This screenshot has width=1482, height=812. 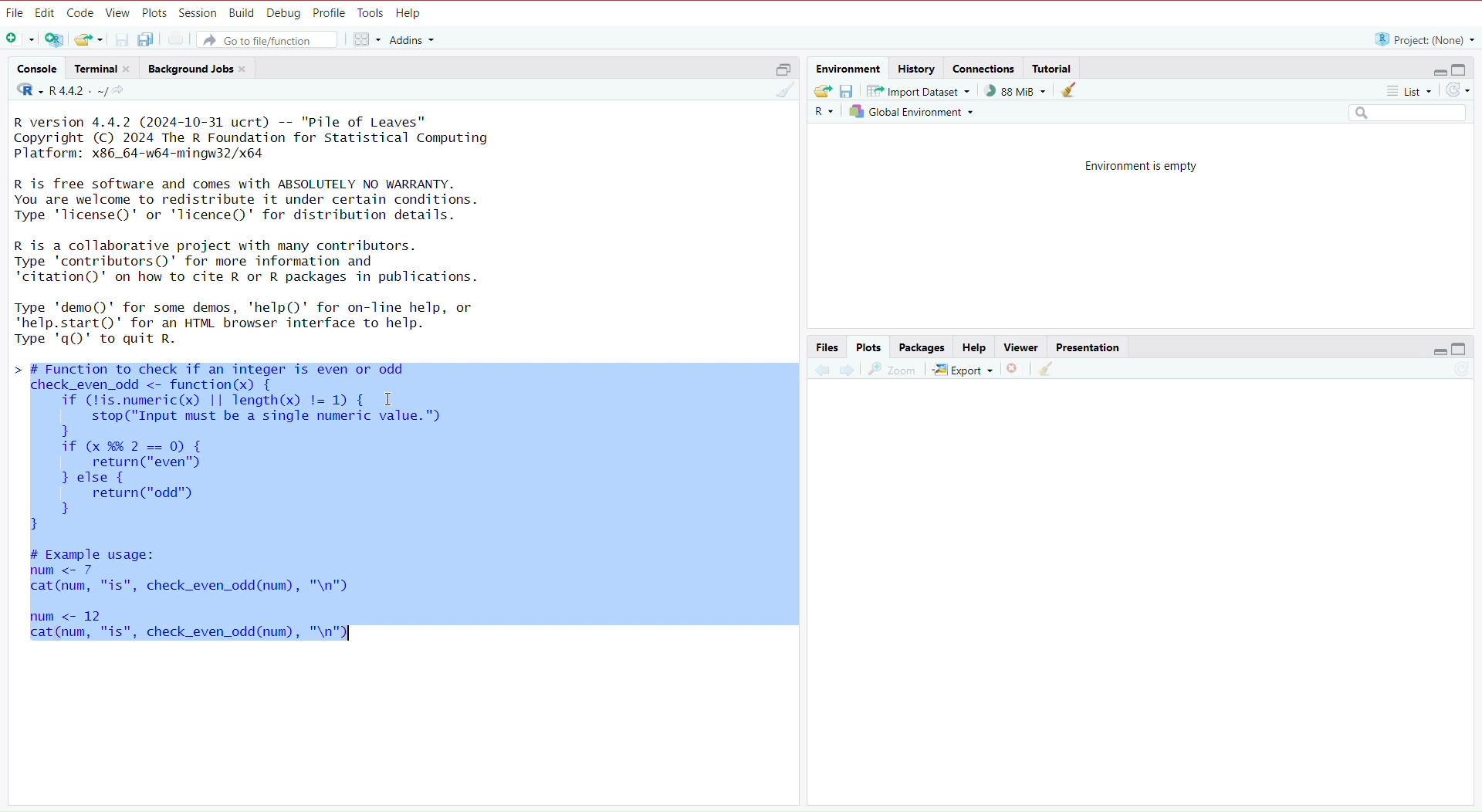 I want to click on workspace panes, so click(x=365, y=40).